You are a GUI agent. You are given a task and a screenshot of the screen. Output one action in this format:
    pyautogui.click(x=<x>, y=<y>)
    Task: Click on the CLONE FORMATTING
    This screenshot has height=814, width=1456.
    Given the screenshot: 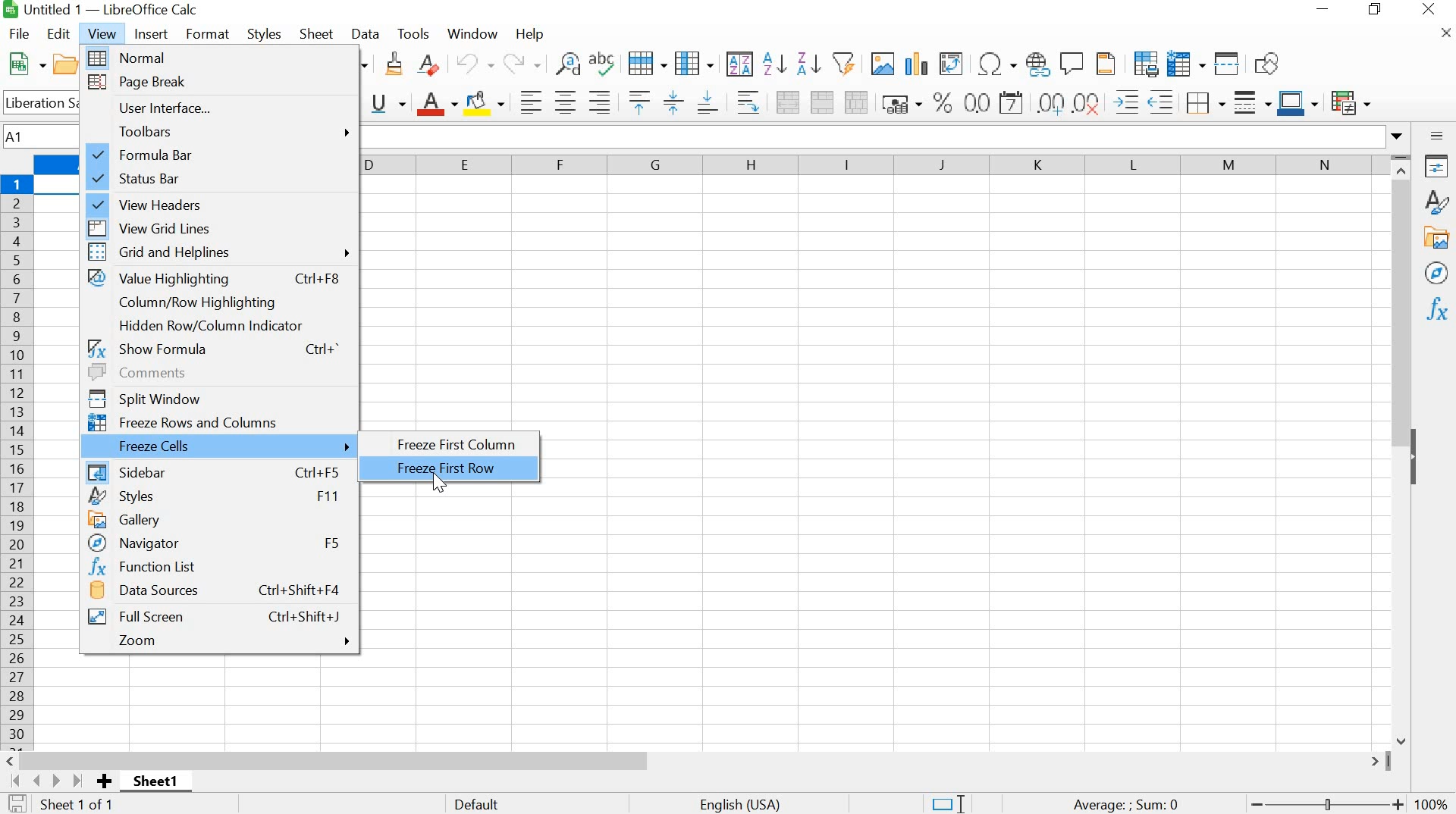 What is the action you would take?
    pyautogui.click(x=393, y=65)
    